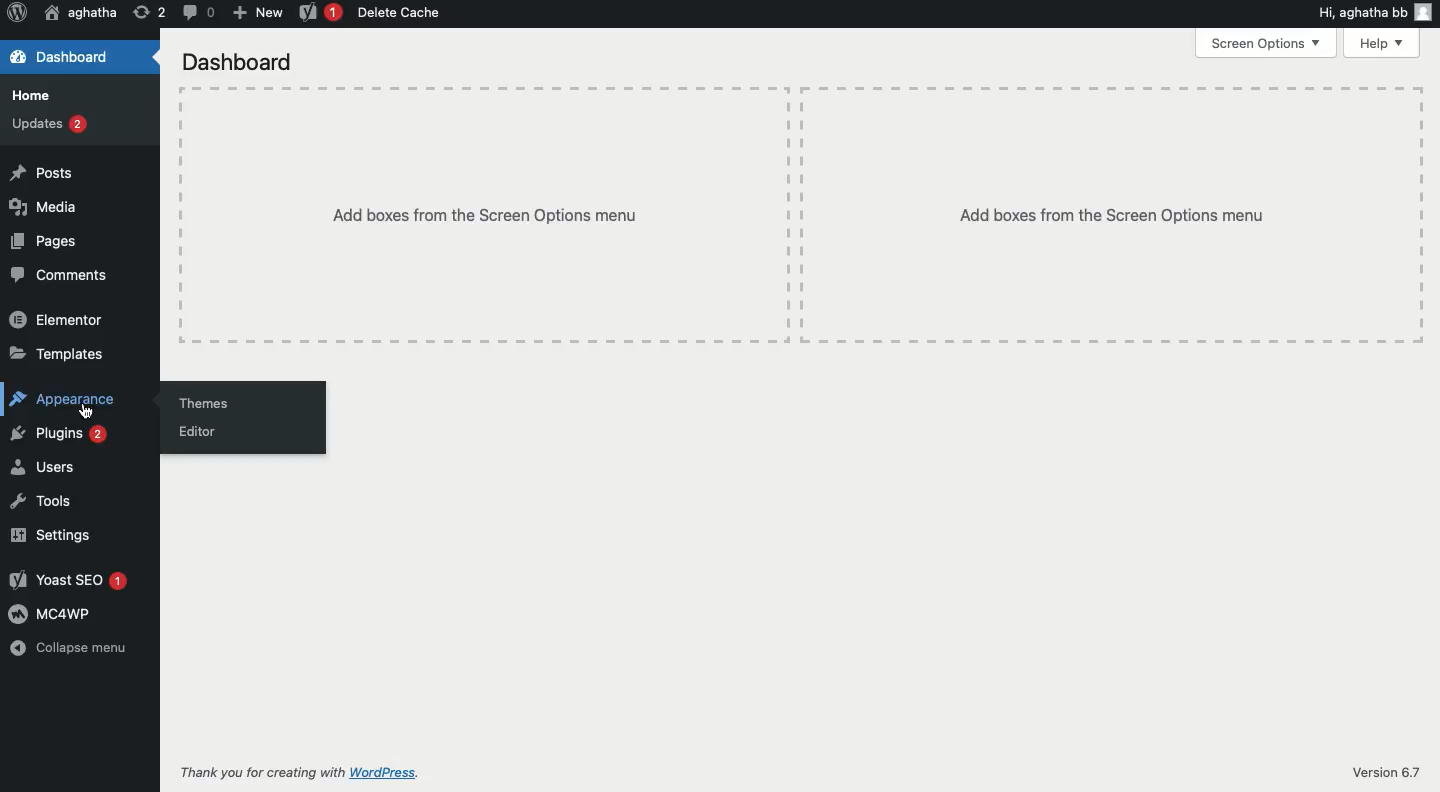 This screenshot has width=1440, height=792. What do you see at coordinates (44, 468) in the screenshot?
I see `Users` at bounding box center [44, 468].